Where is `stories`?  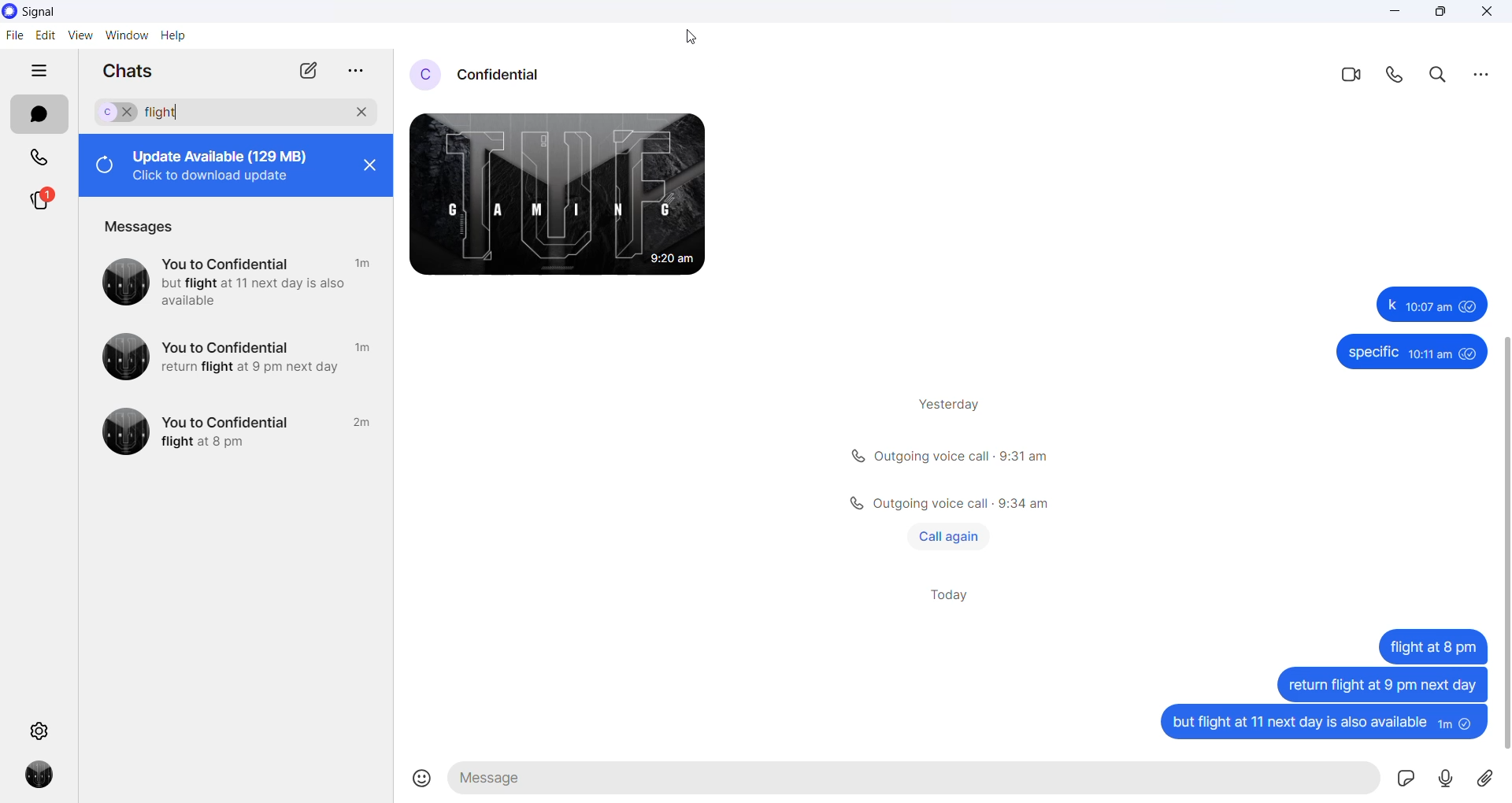
stories is located at coordinates (41, 205).